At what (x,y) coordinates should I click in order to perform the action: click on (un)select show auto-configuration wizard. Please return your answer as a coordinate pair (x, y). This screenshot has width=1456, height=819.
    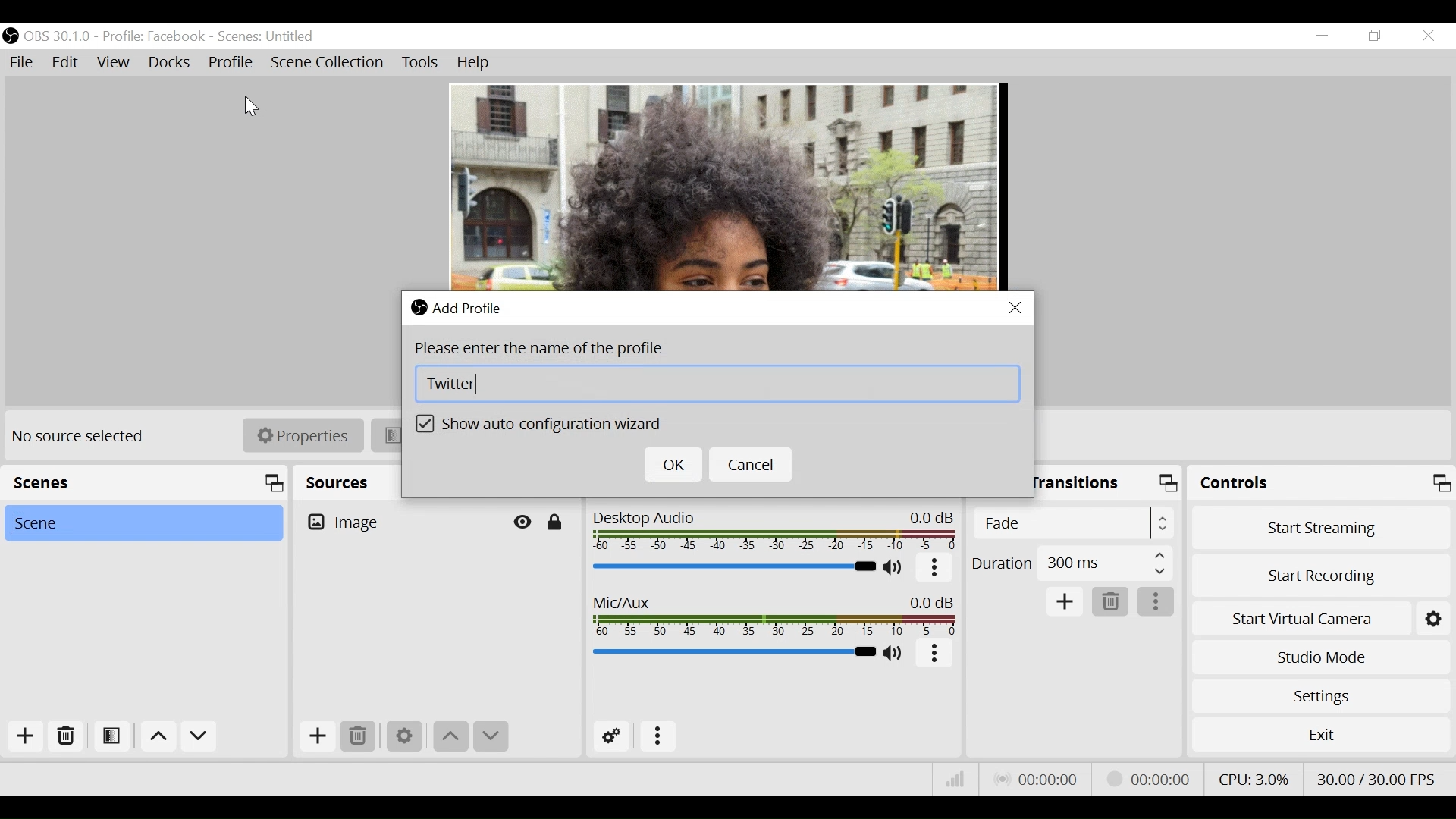
    Looking at the image, I should click on (544, 425).